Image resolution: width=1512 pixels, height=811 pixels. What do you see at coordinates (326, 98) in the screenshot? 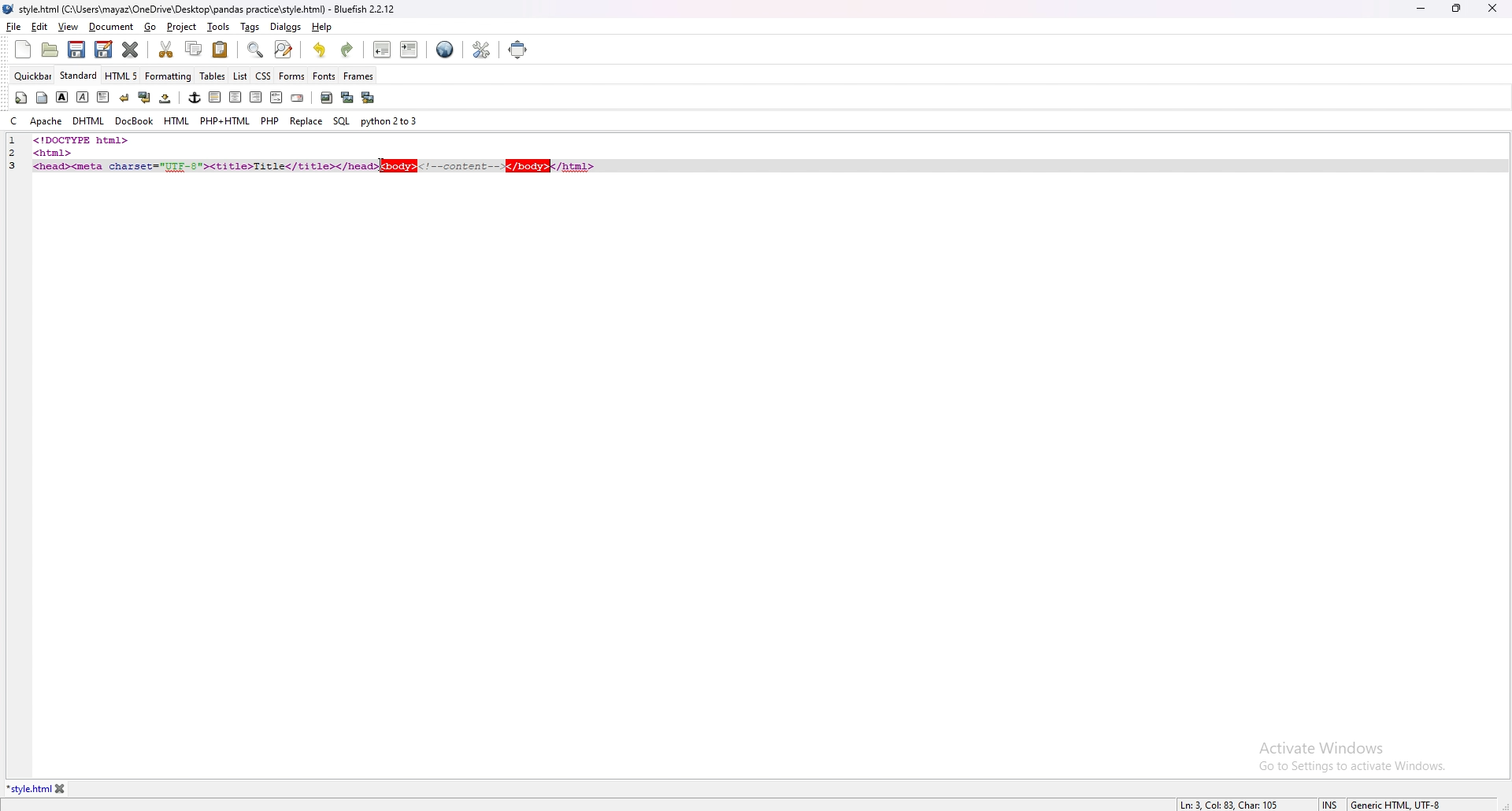
I see `insert image` at bounding box center [326, 98].